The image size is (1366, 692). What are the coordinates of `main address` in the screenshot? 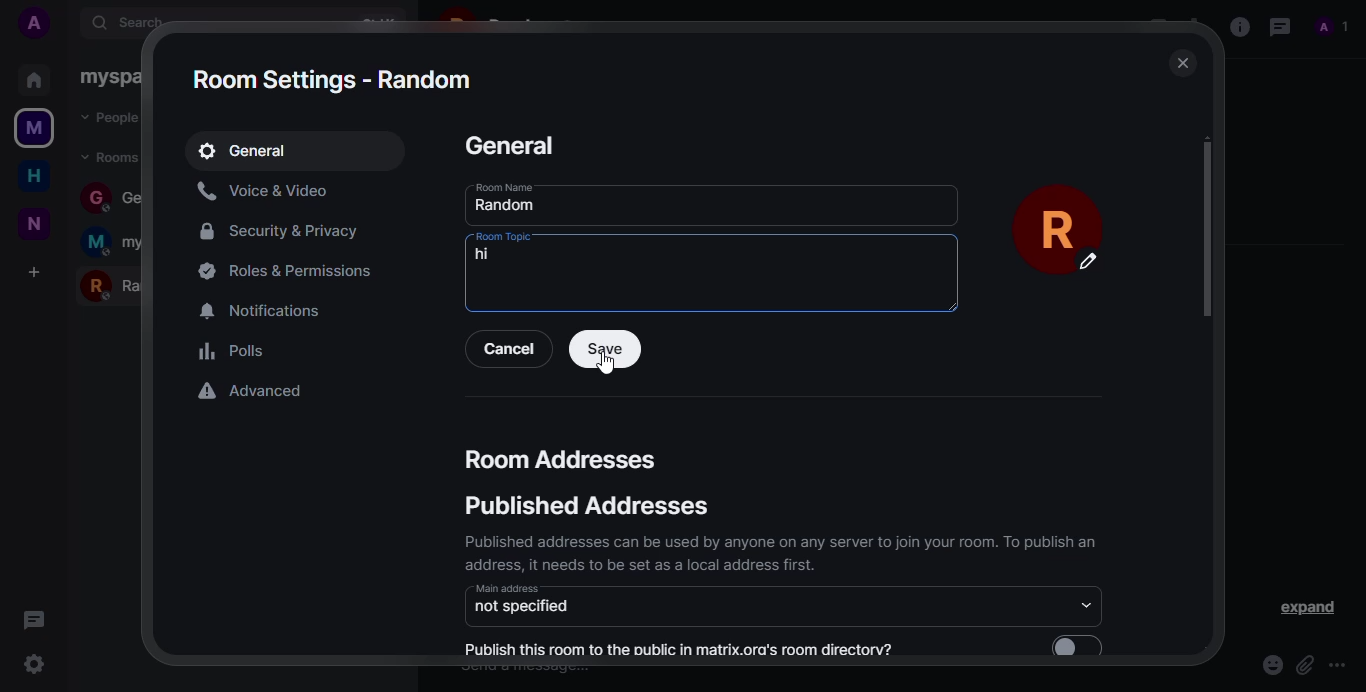 It's located at (508, 589).